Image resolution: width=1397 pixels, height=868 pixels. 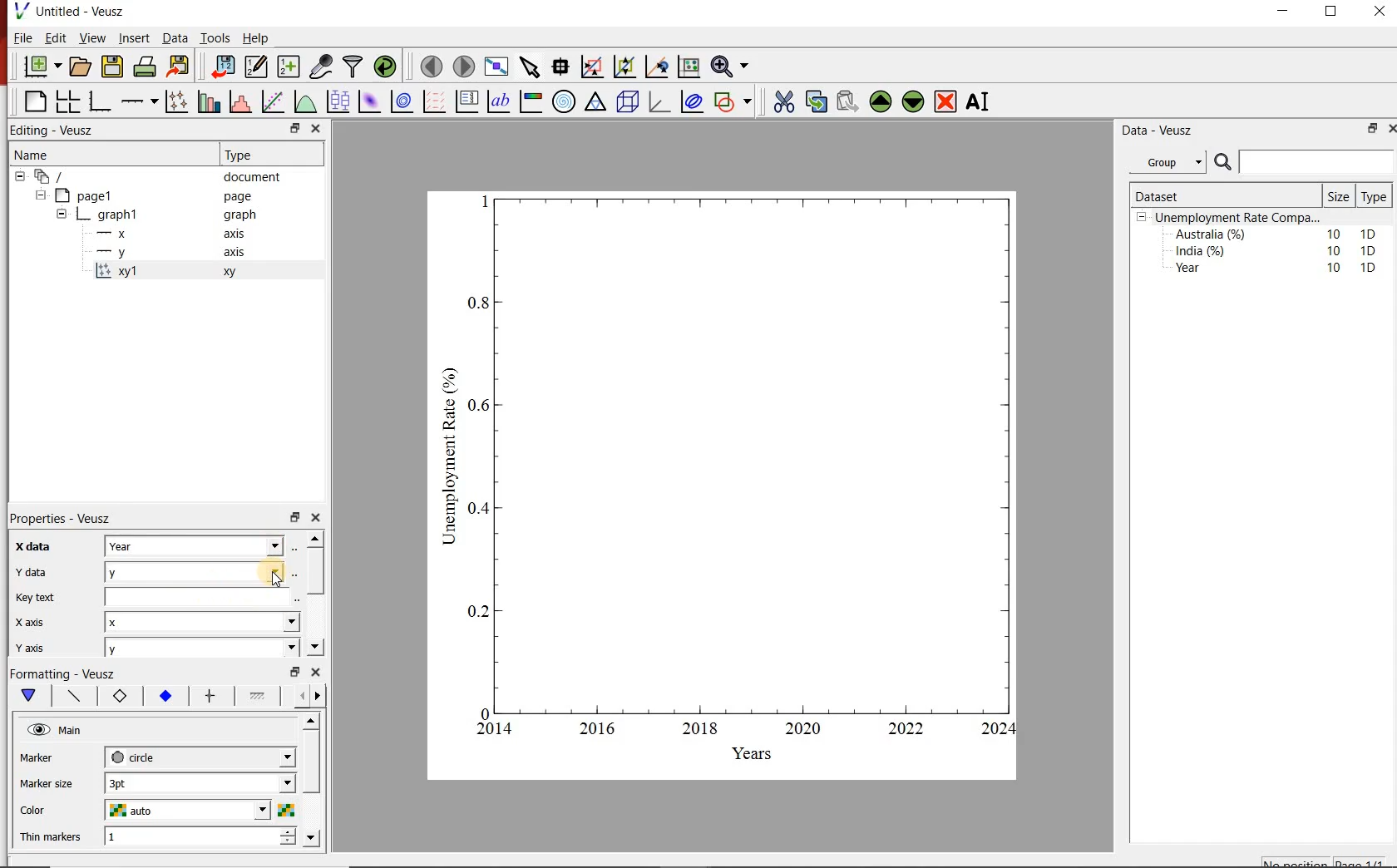 I want to click on key text field, so click(x=200, y=596).